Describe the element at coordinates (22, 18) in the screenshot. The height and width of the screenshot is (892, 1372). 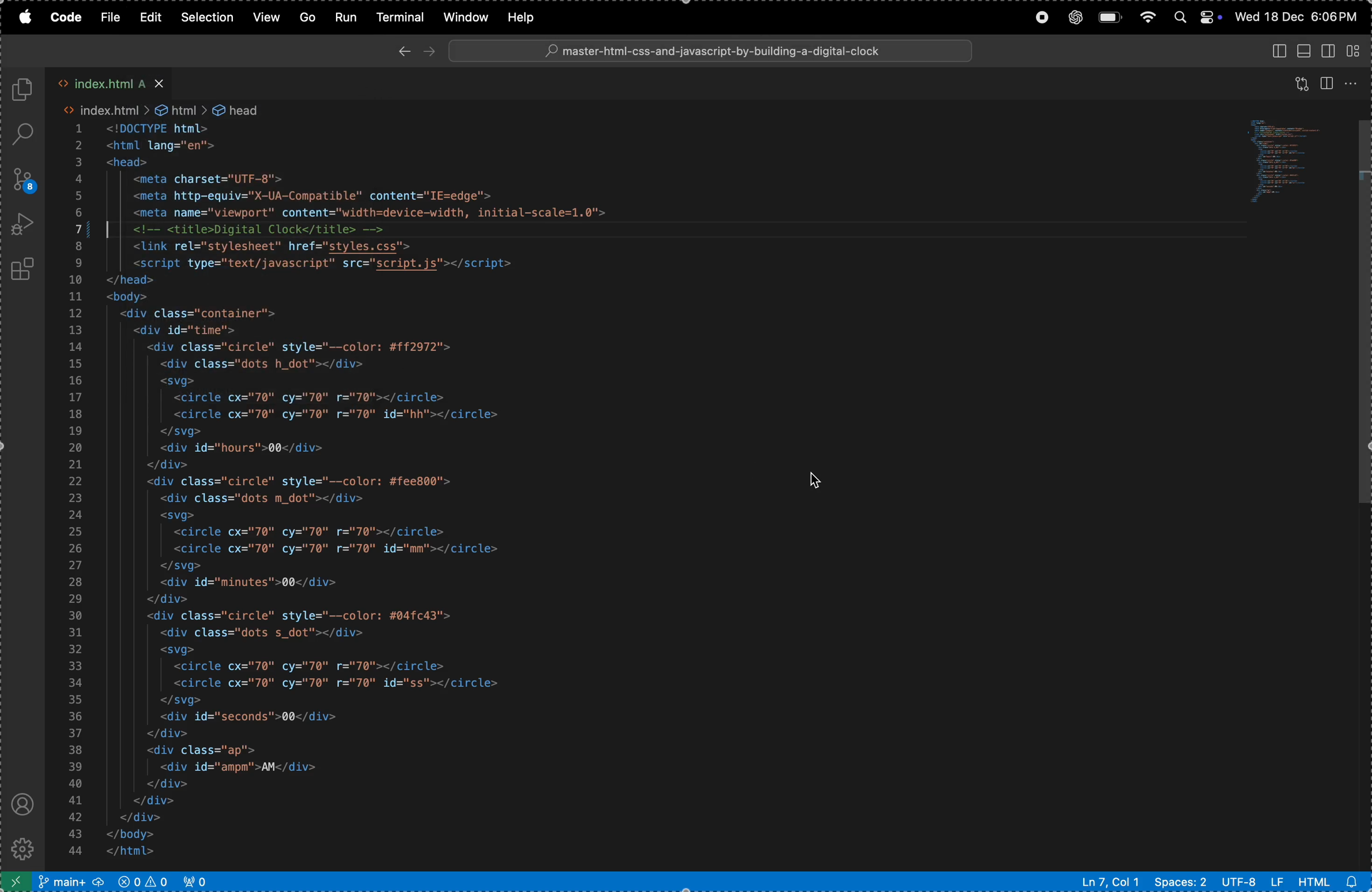
I see `apple menu` at that location.